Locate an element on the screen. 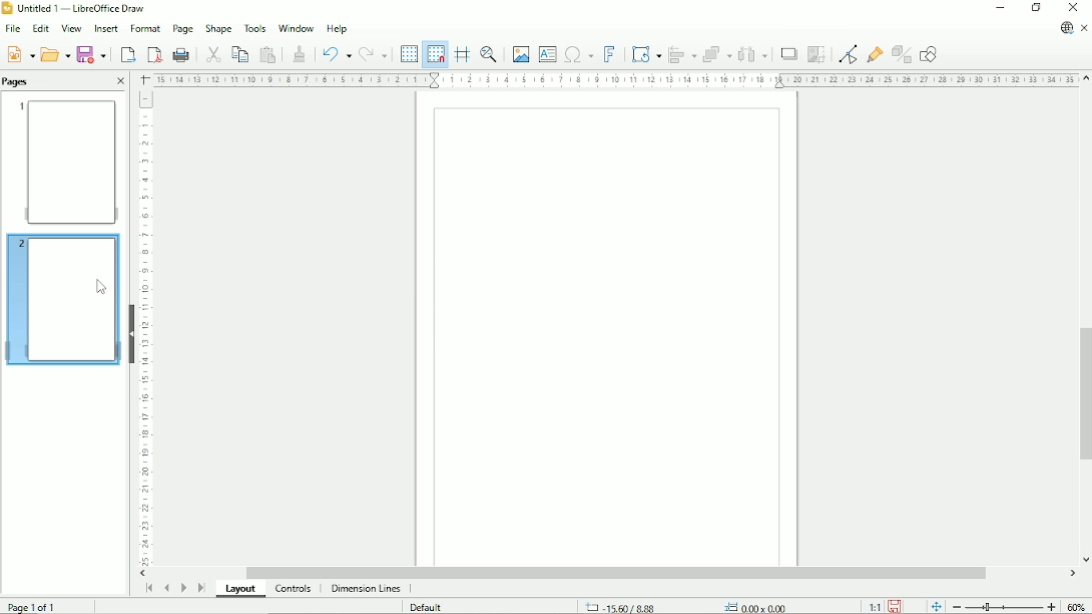 The height and width of the screenshot is (614, 1092). Crop image is located at coordinates (816, 54).